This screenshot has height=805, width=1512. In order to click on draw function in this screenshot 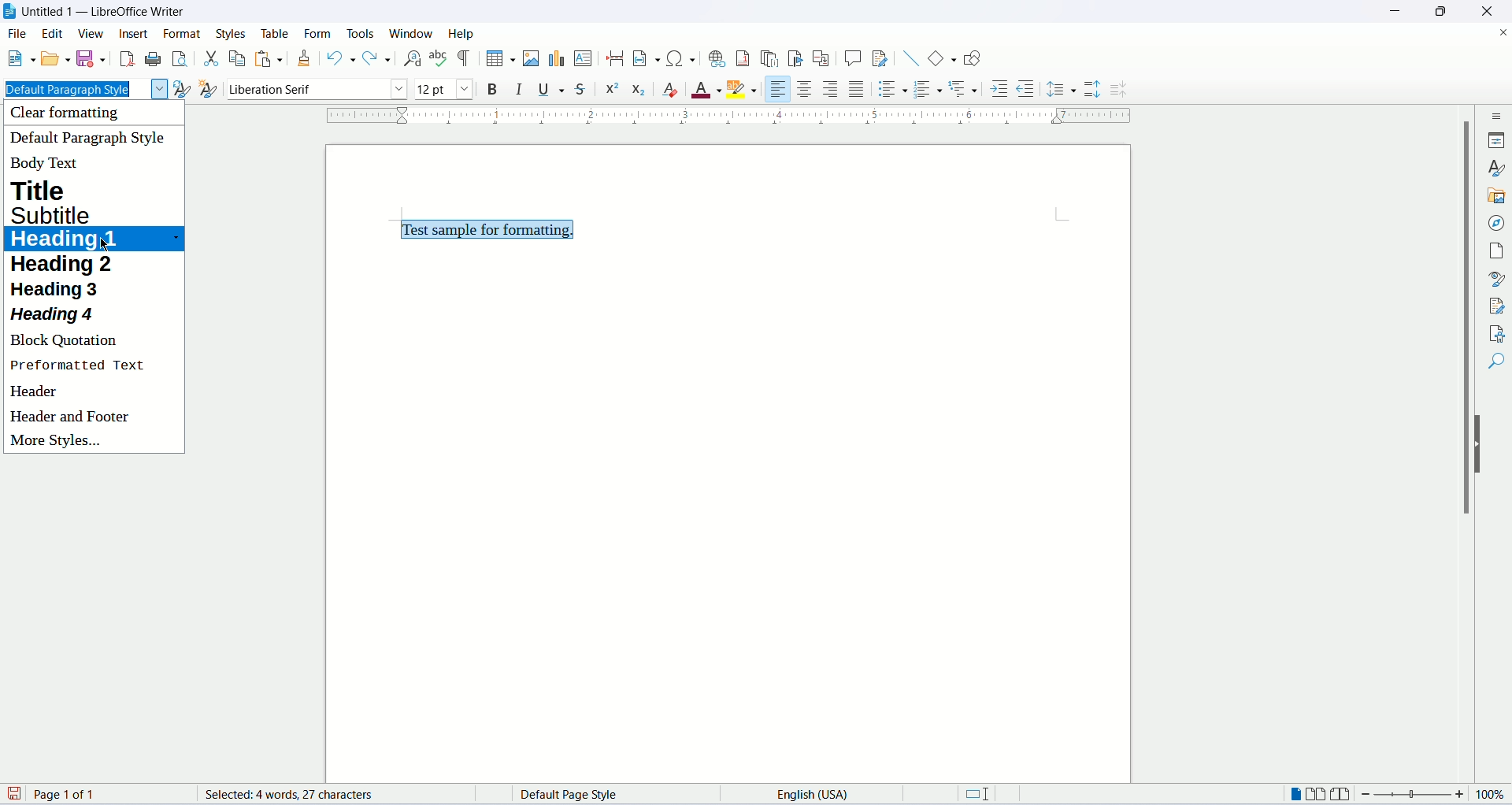, I will do `click(972, 58)`.